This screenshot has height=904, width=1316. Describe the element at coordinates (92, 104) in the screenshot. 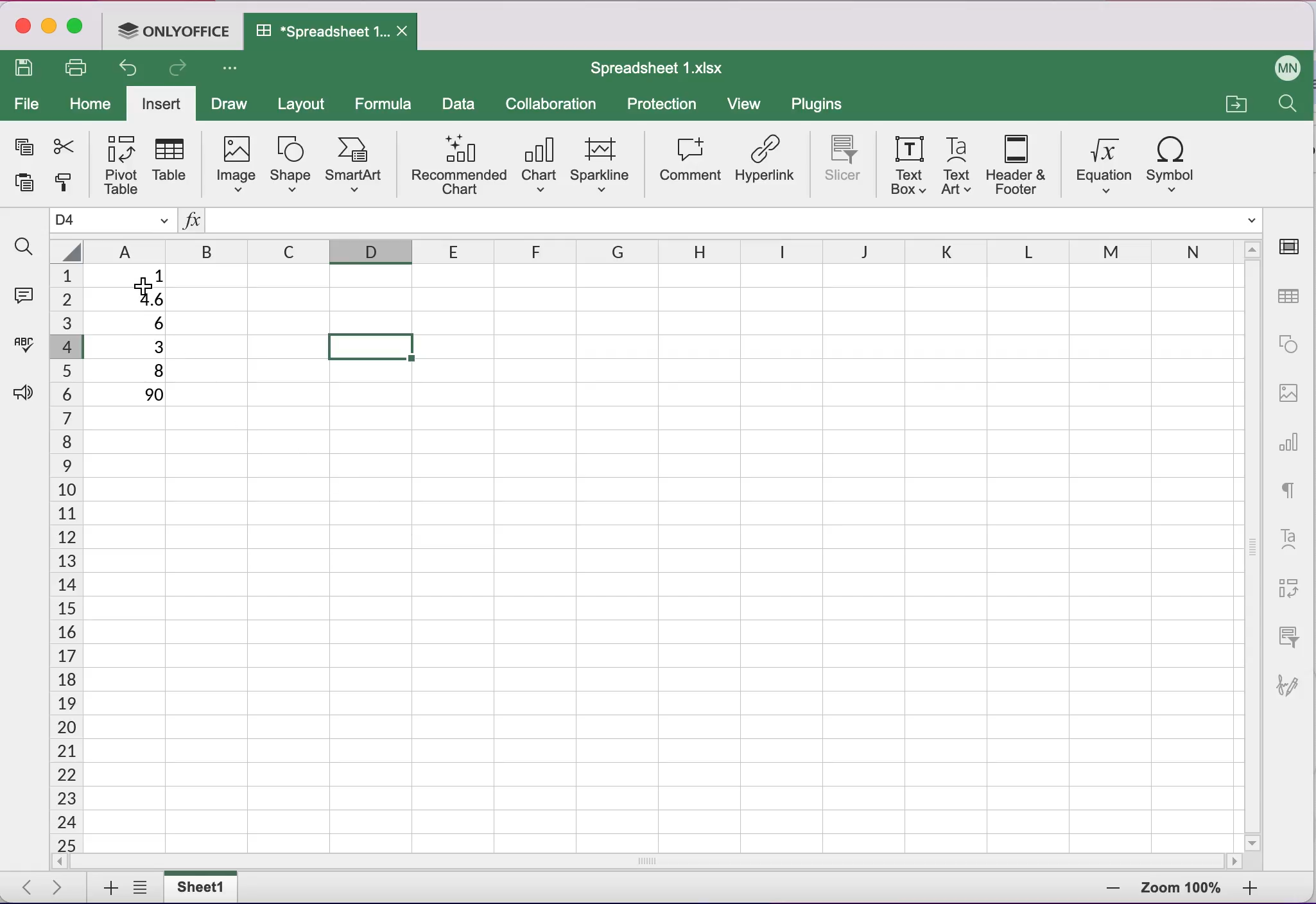

I see `home` at that location.